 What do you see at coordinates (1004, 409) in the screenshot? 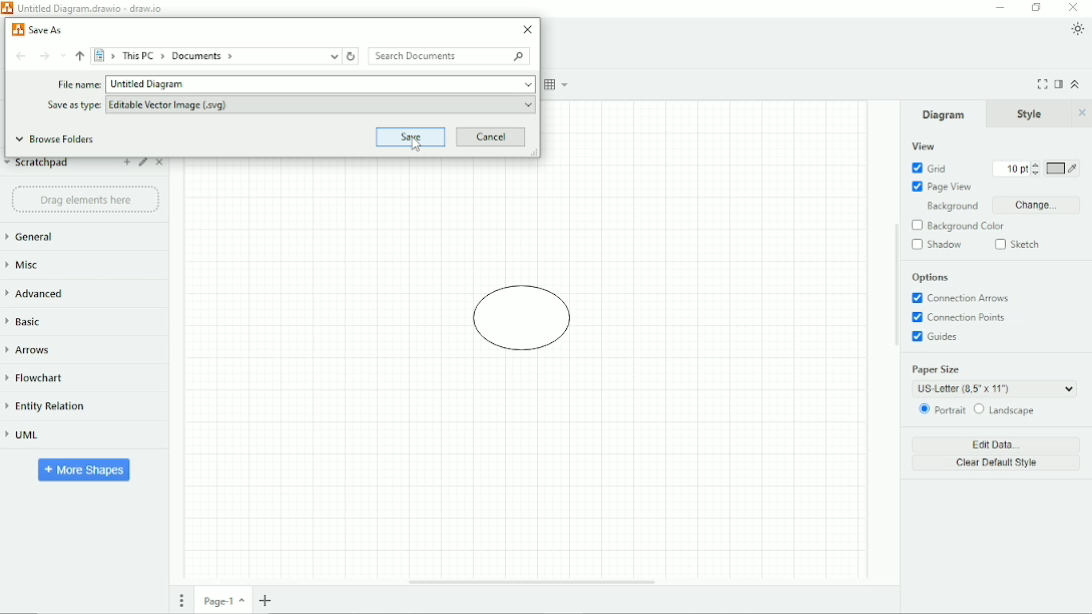
I see `Landscape` at bounding box center [1004, 409].